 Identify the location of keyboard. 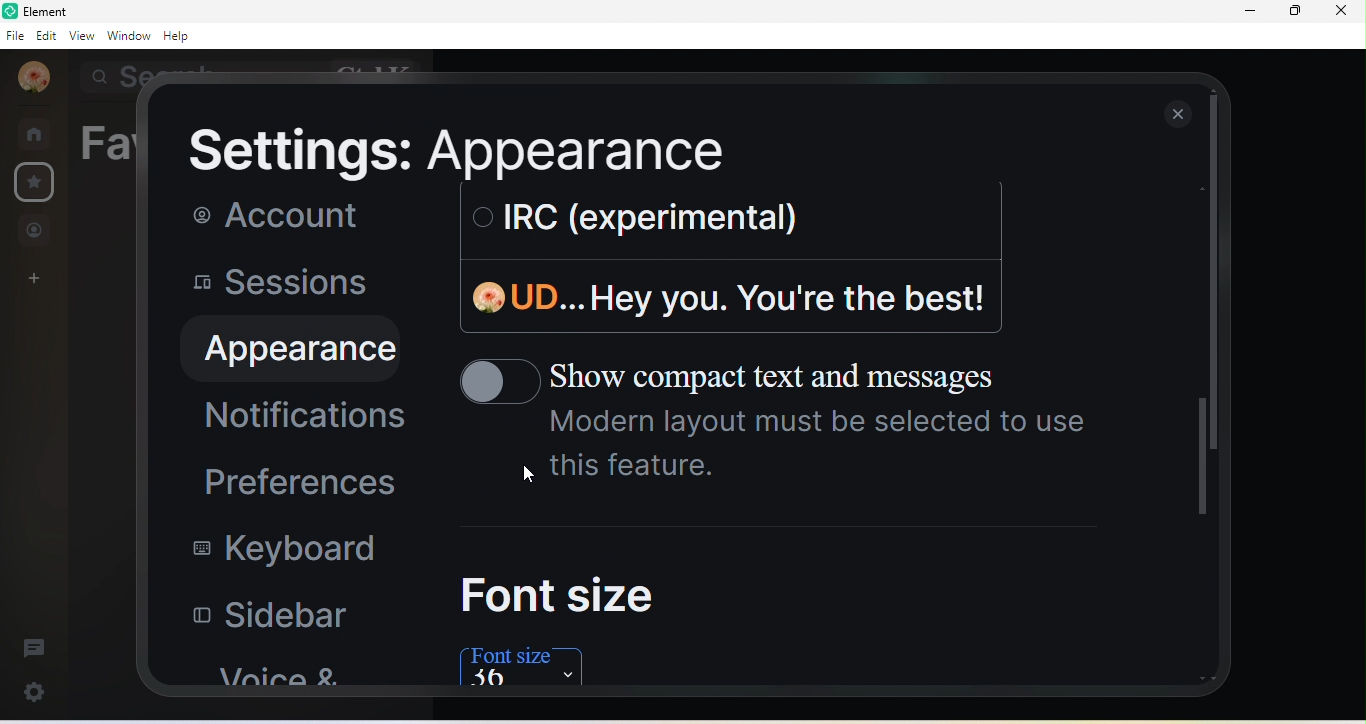
(268, 550).